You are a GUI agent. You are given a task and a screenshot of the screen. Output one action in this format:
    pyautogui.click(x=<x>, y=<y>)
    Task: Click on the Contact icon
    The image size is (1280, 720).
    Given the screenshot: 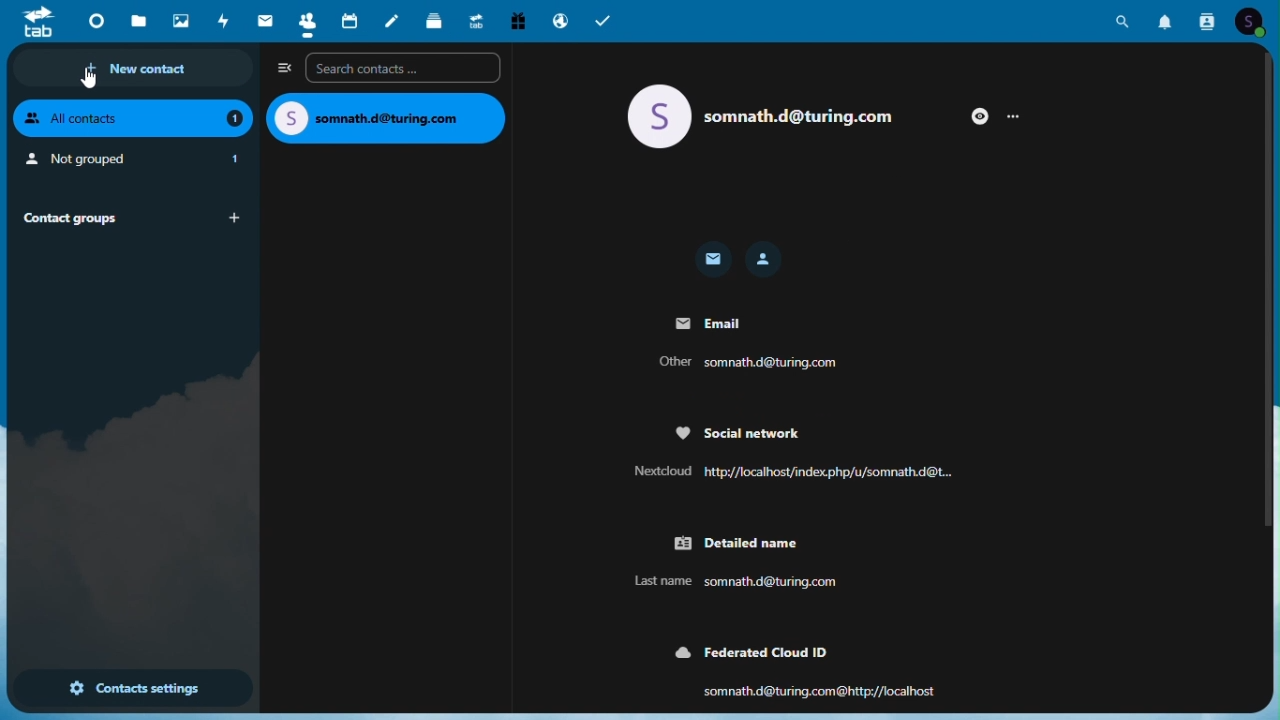 What is the action you would take?
    pyautogui.click(x=768, y=258)
    